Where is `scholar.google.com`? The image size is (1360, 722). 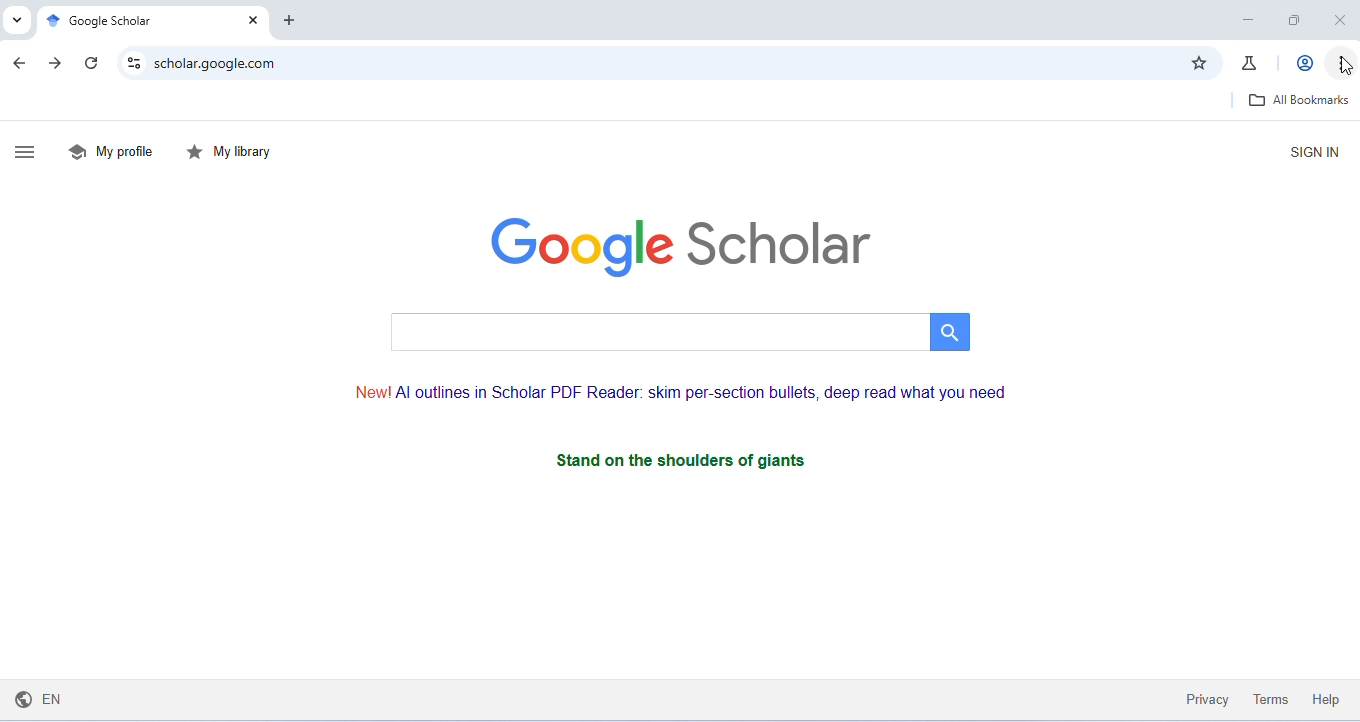
scholar.google.com is located at coordinates (220, 65).